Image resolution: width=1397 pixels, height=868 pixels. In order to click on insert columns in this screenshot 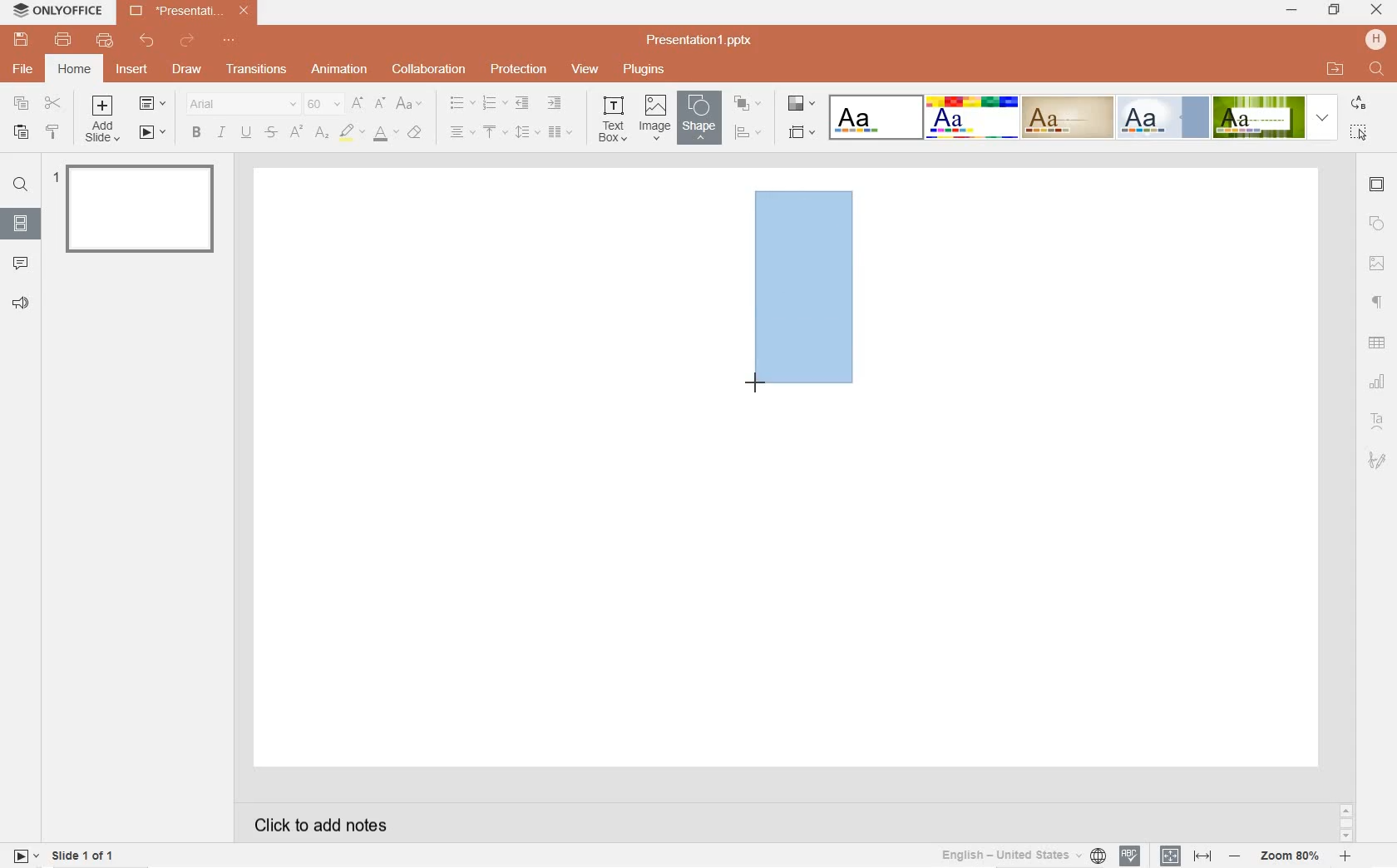, I will do `click(560, 131)`.